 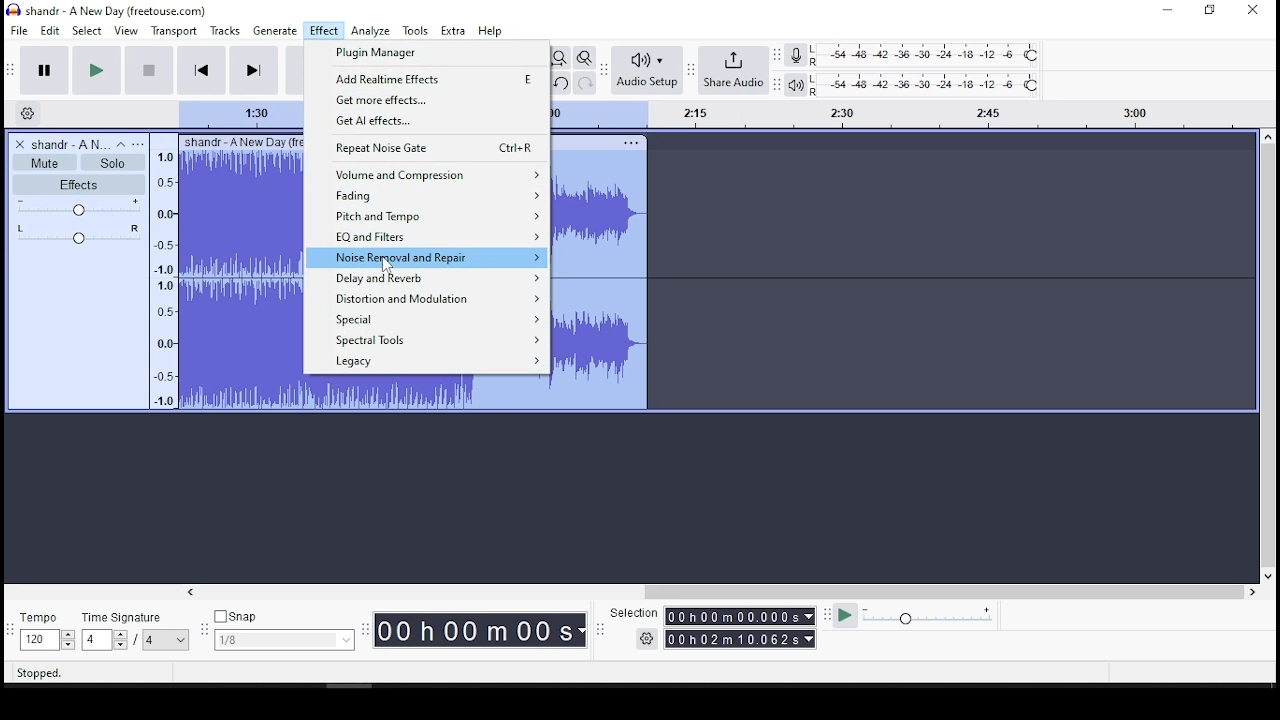 What do you see at coordinates (111, 163) in the screenshot?
I see `solo` at bounding box center [111, 163].